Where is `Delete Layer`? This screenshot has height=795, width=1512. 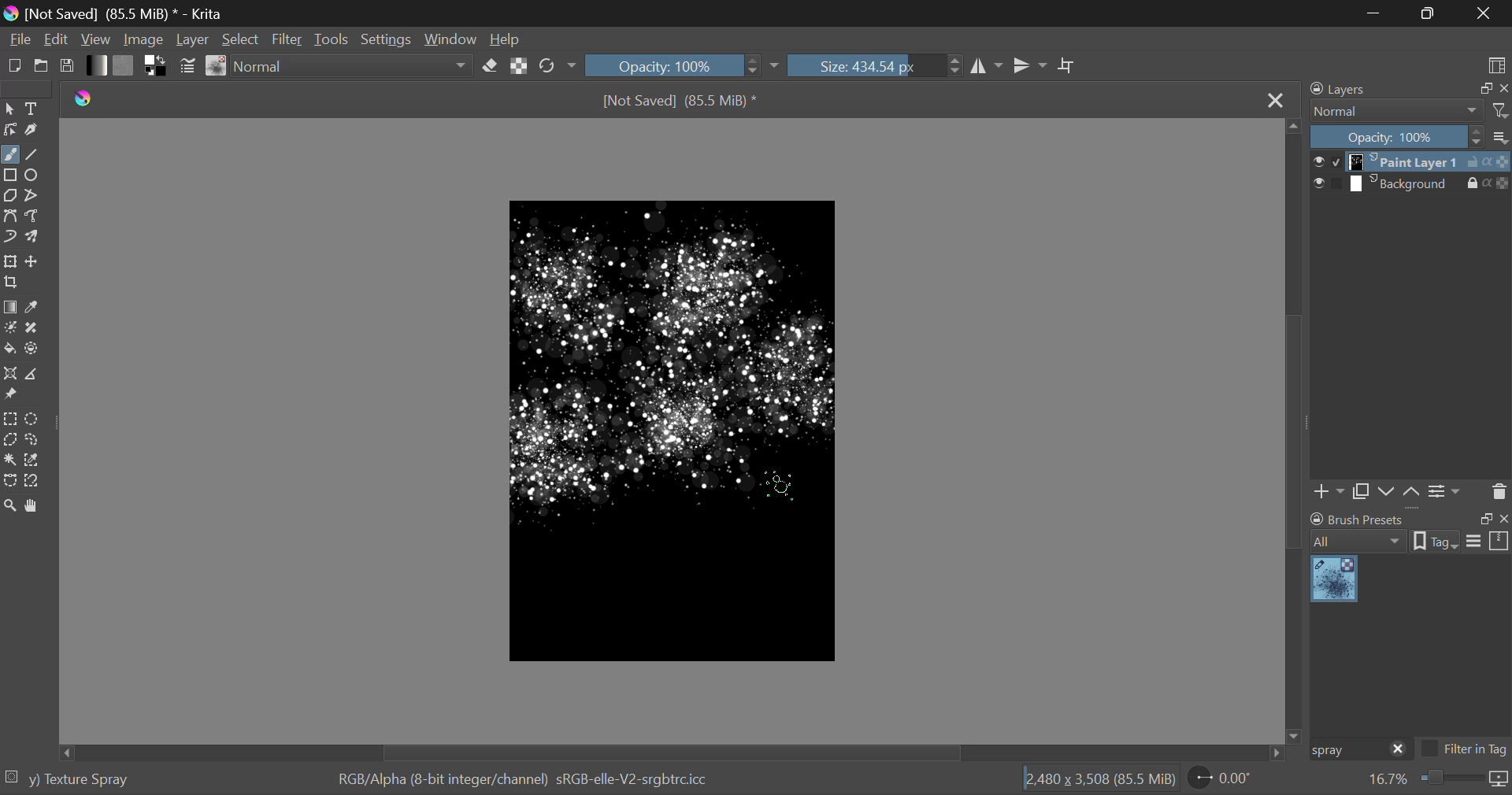
Delete Layer is located at coordinates (1497, 490).